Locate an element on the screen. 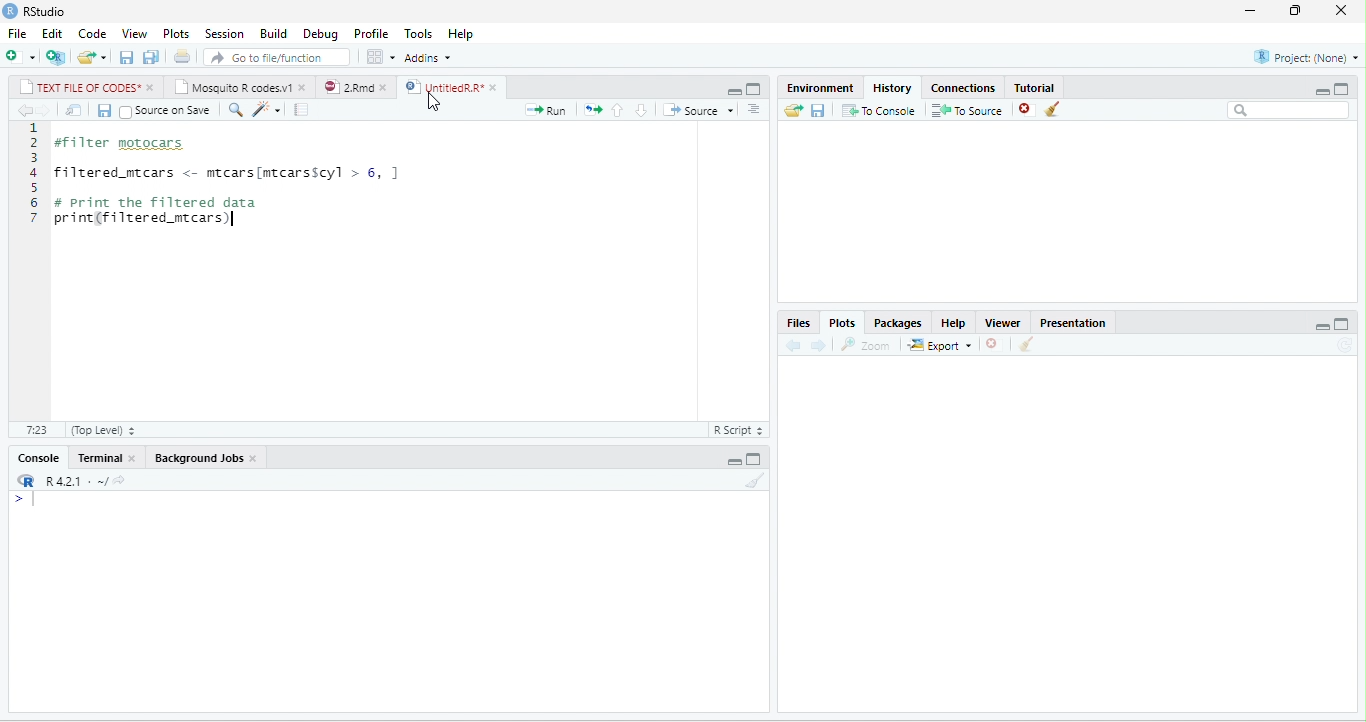  search bar is located at coordinates (1288, 110).